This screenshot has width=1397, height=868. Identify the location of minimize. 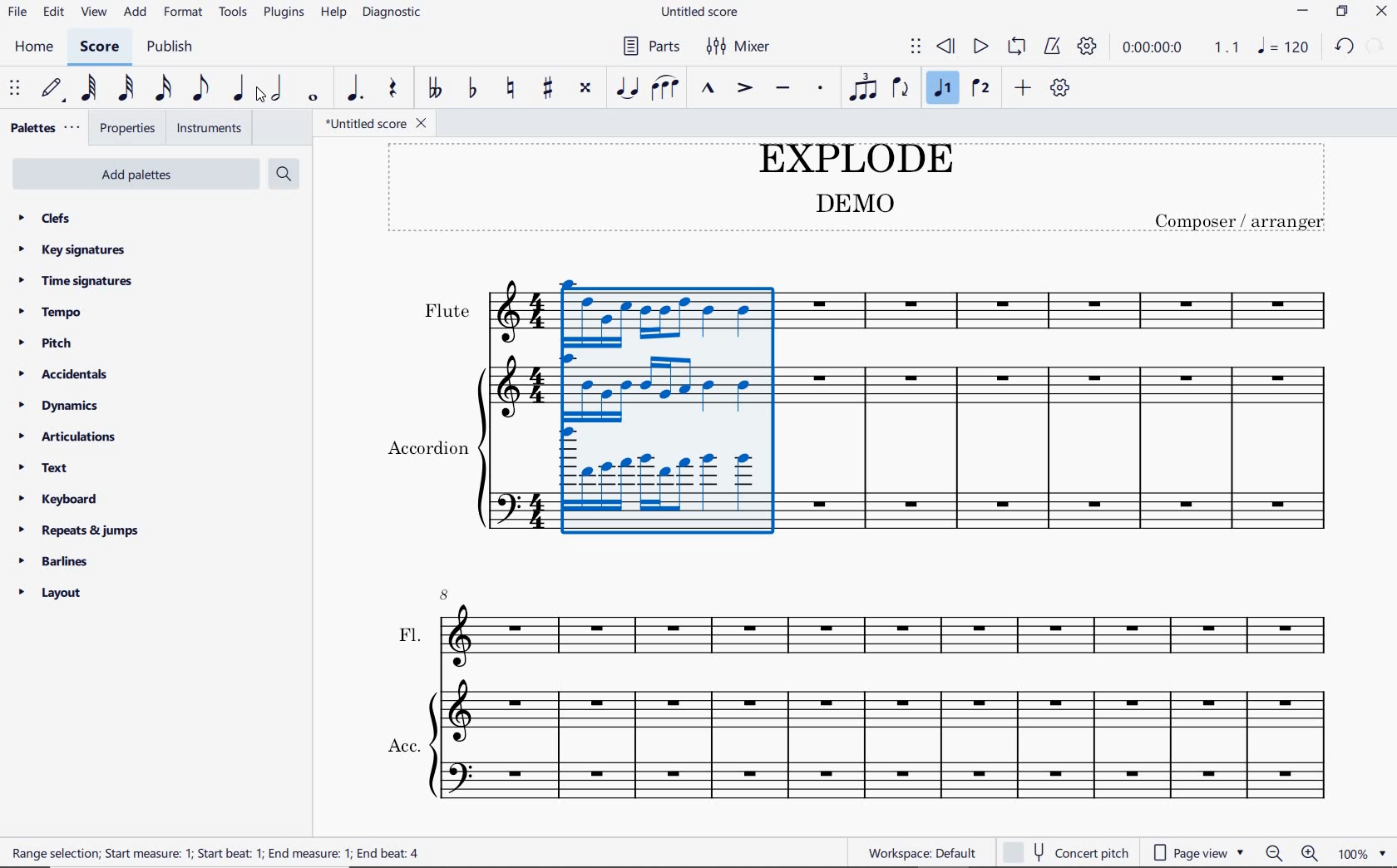
(1301, 9).